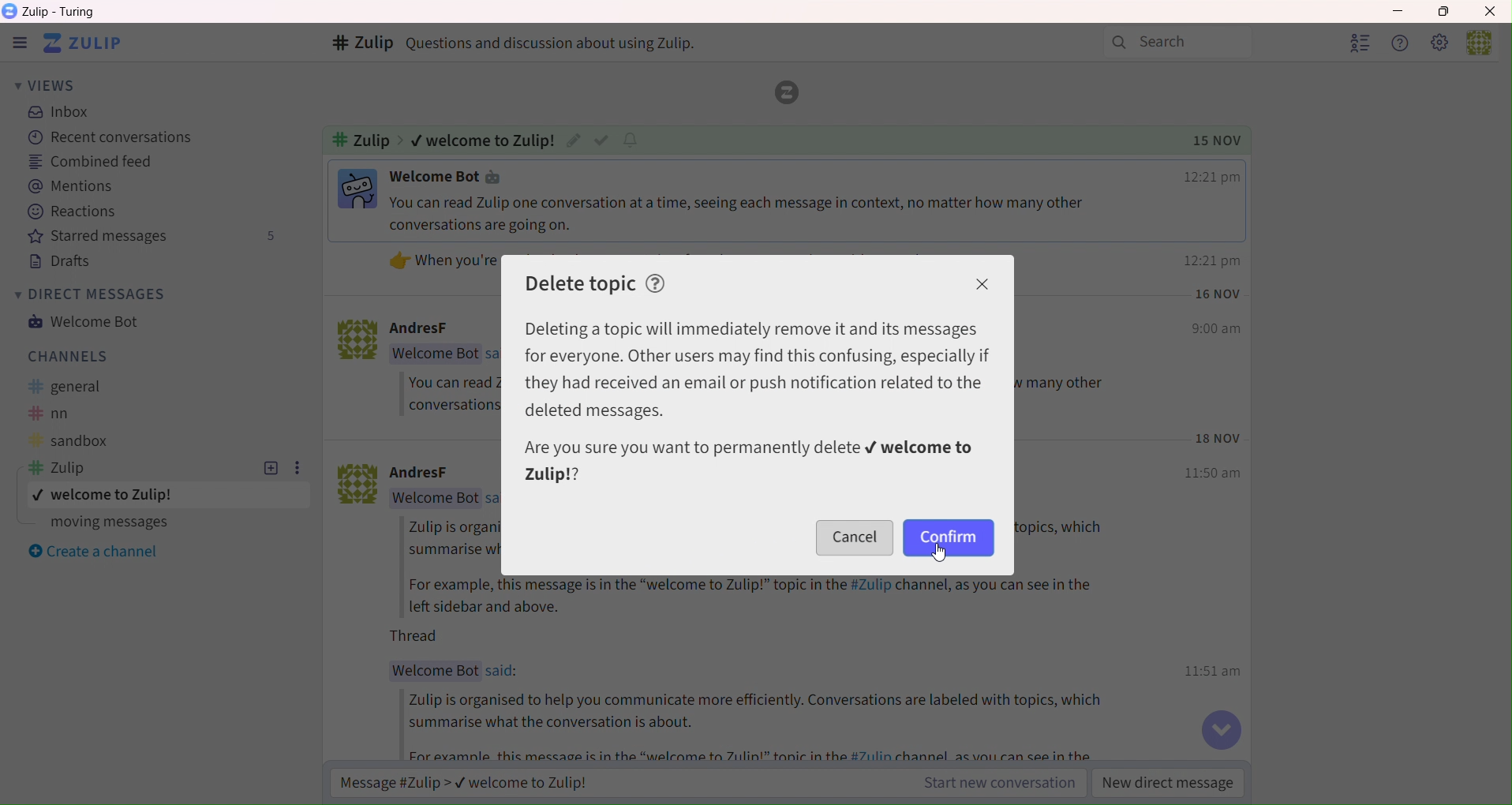 This screenshot has height=805, width=1512. Describe the element at coordinates (579, 283) in the screenshot. I see `Delete topic` at that location.